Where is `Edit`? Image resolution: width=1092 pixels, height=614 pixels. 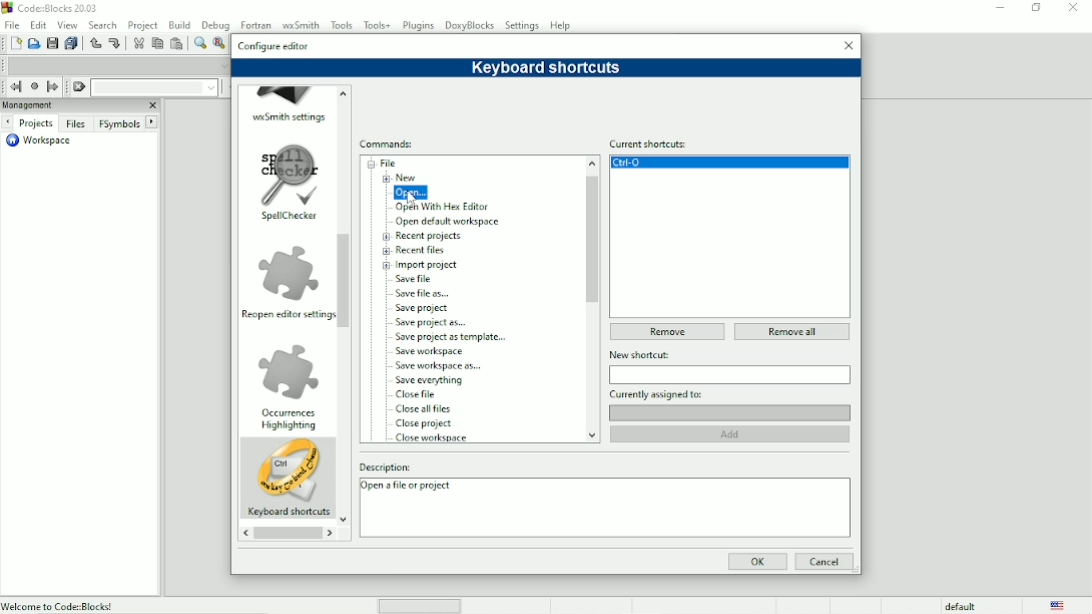 Edit is located at coordinates (38, 25).